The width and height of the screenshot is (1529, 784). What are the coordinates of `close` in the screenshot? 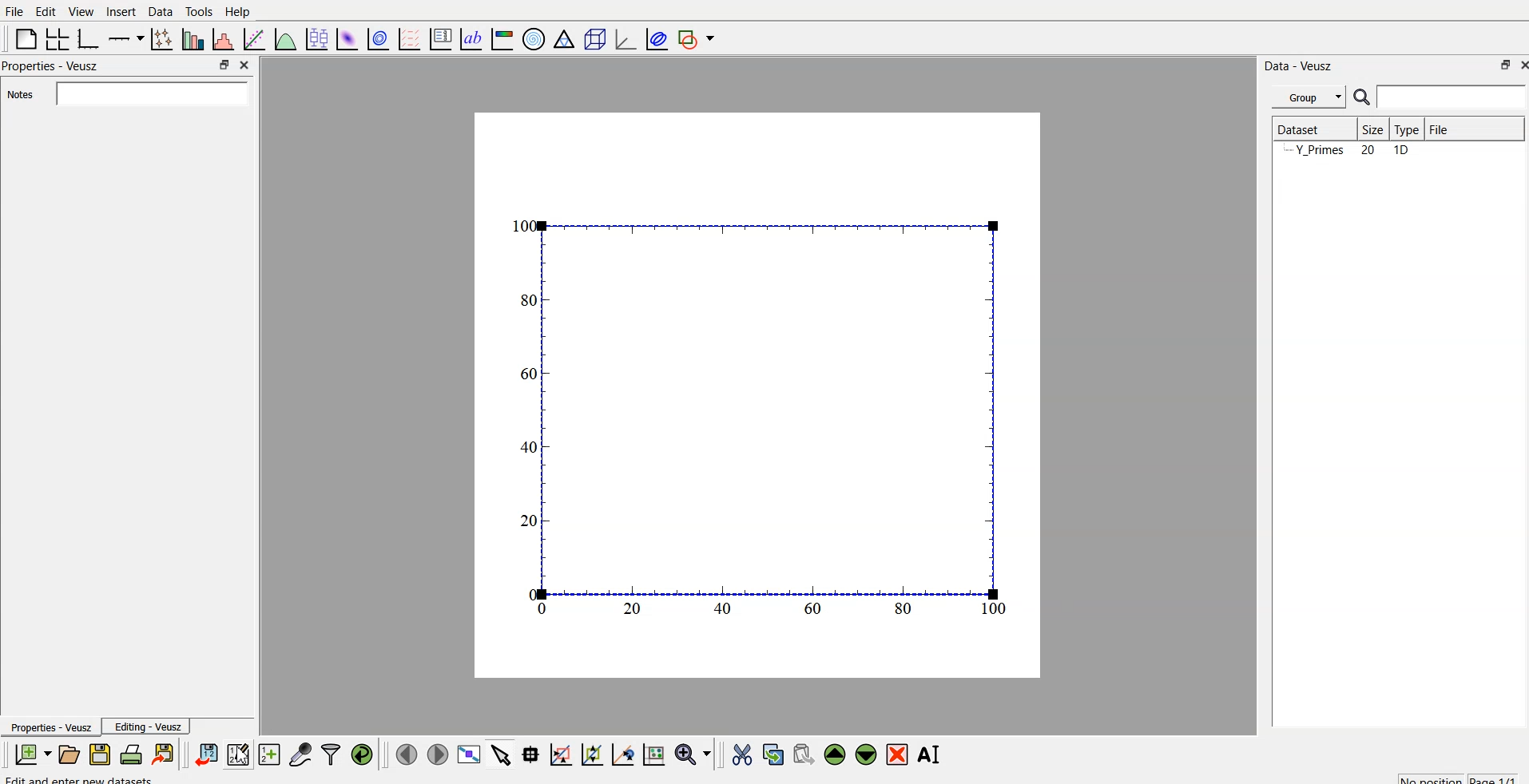 It's located at (1519, 66).